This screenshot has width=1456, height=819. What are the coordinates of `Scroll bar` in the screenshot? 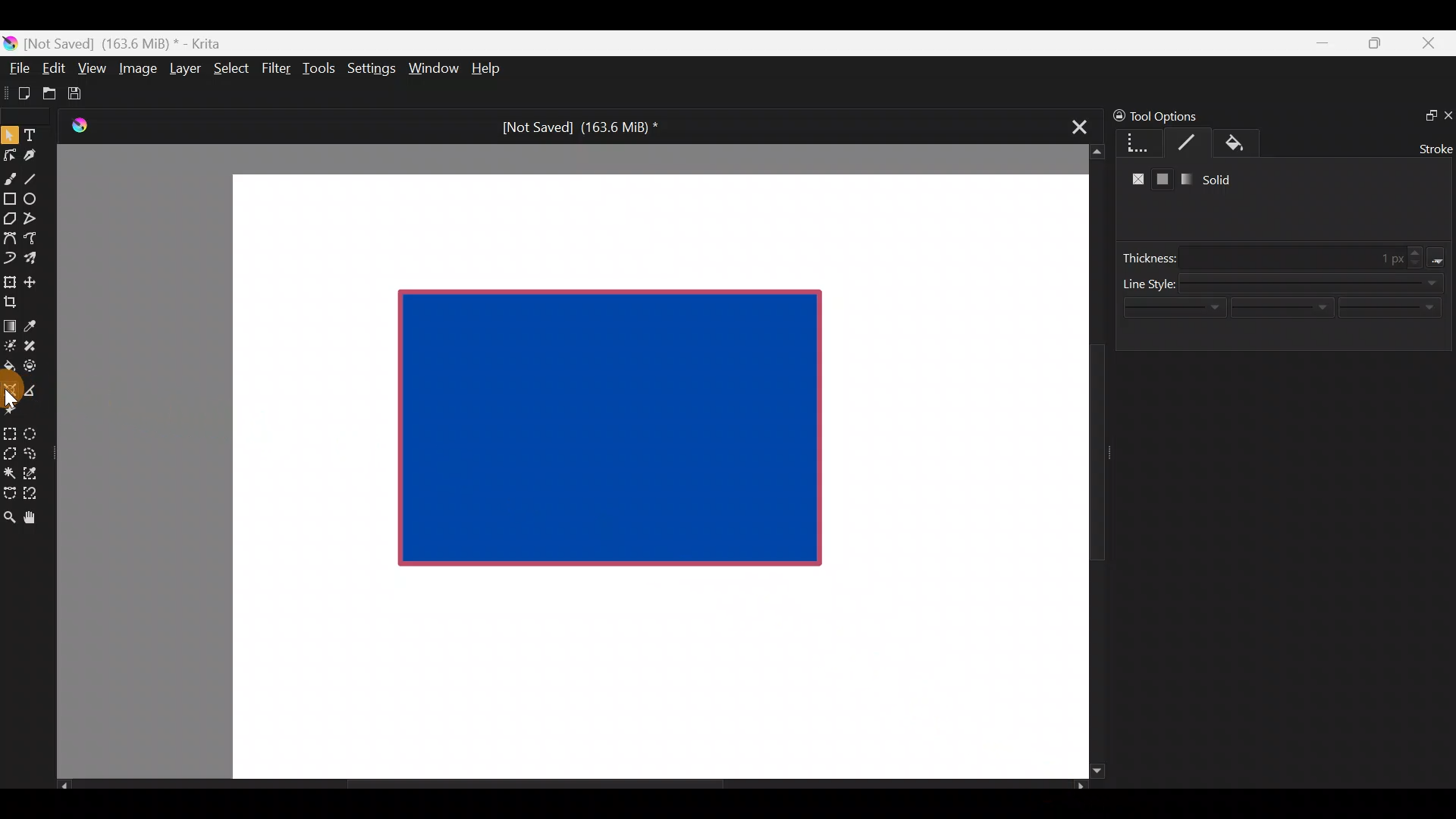 It's located at (572, 786).